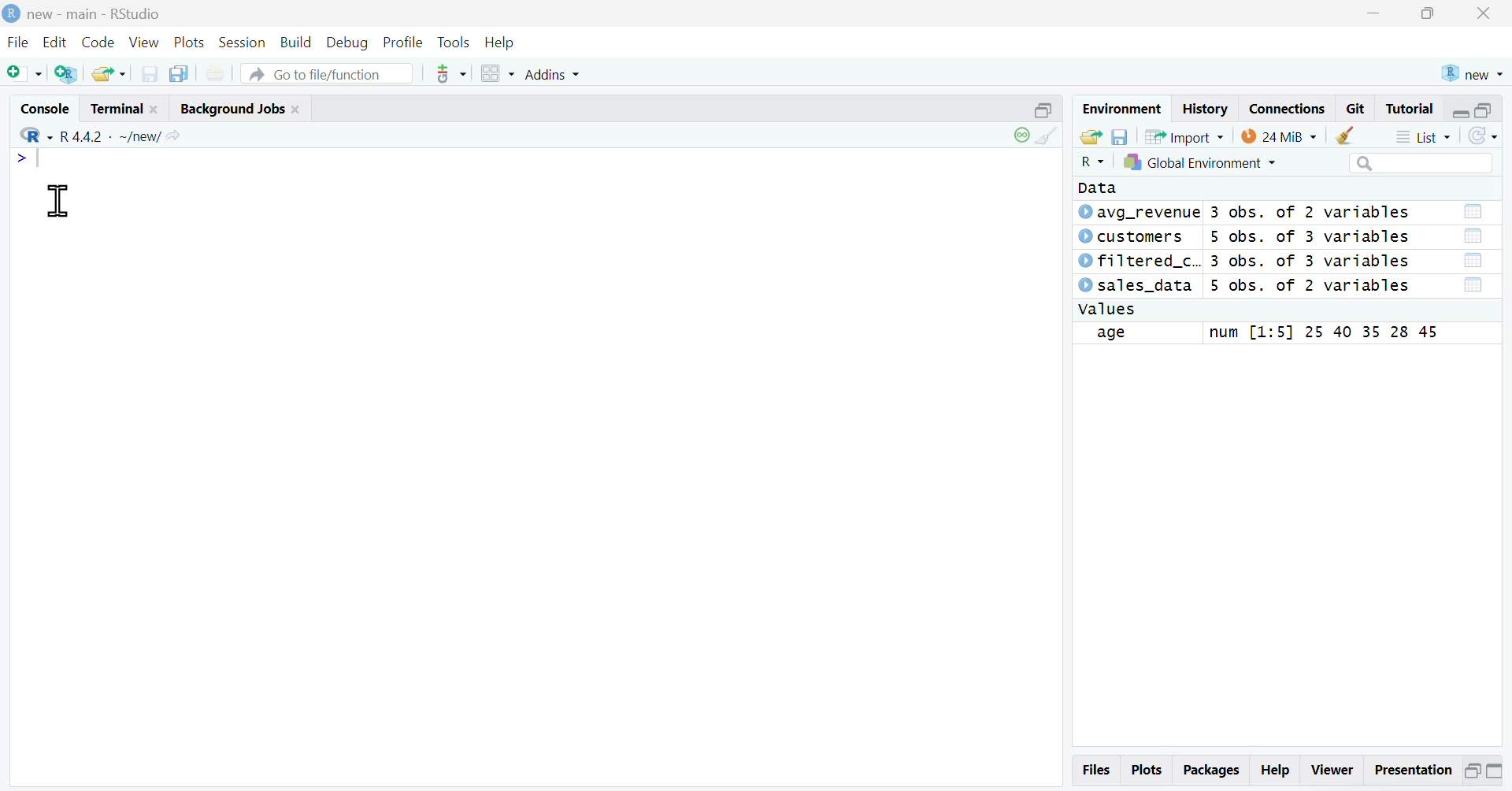  Describe the element at coordinates (1091, 137) in the screenshot. I see `load workspace` at that location.